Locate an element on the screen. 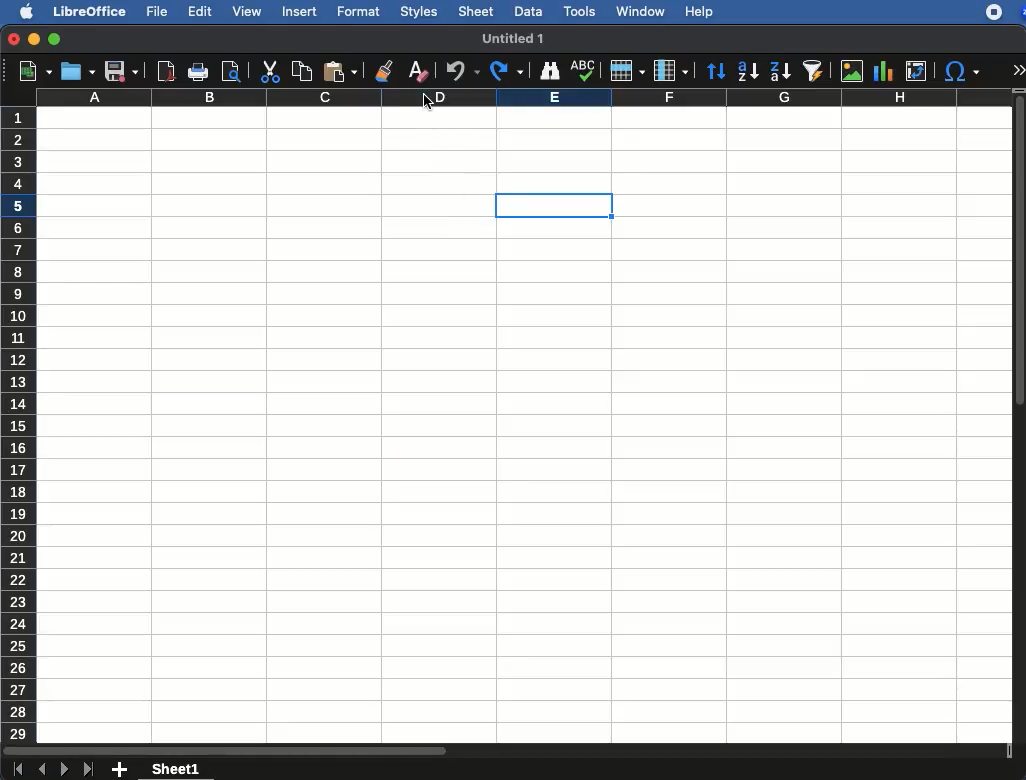 The width and height of the screenshot is (1026, 780). cell selection is located at coordinates (553, 206).